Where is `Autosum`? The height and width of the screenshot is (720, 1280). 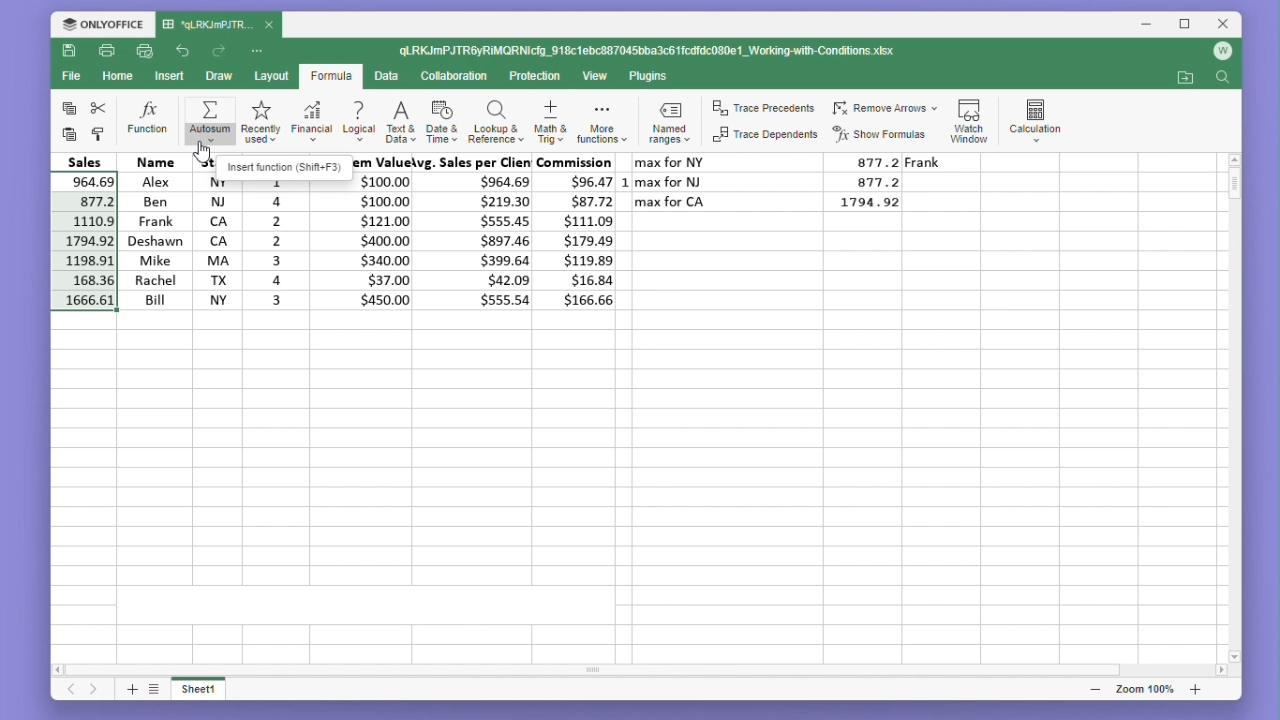
Autosum is located at coordinates (208, 121).